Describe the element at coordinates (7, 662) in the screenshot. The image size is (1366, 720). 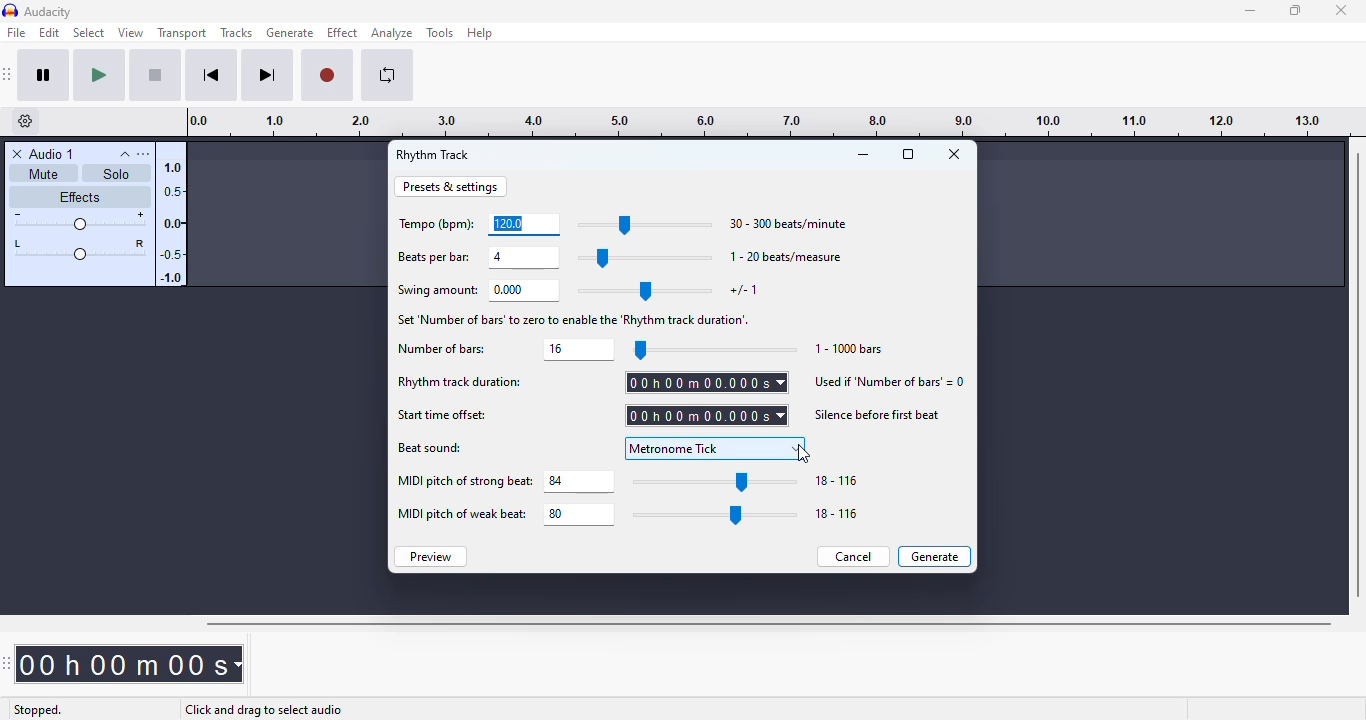
I see `audacity time toolbar` at that location.